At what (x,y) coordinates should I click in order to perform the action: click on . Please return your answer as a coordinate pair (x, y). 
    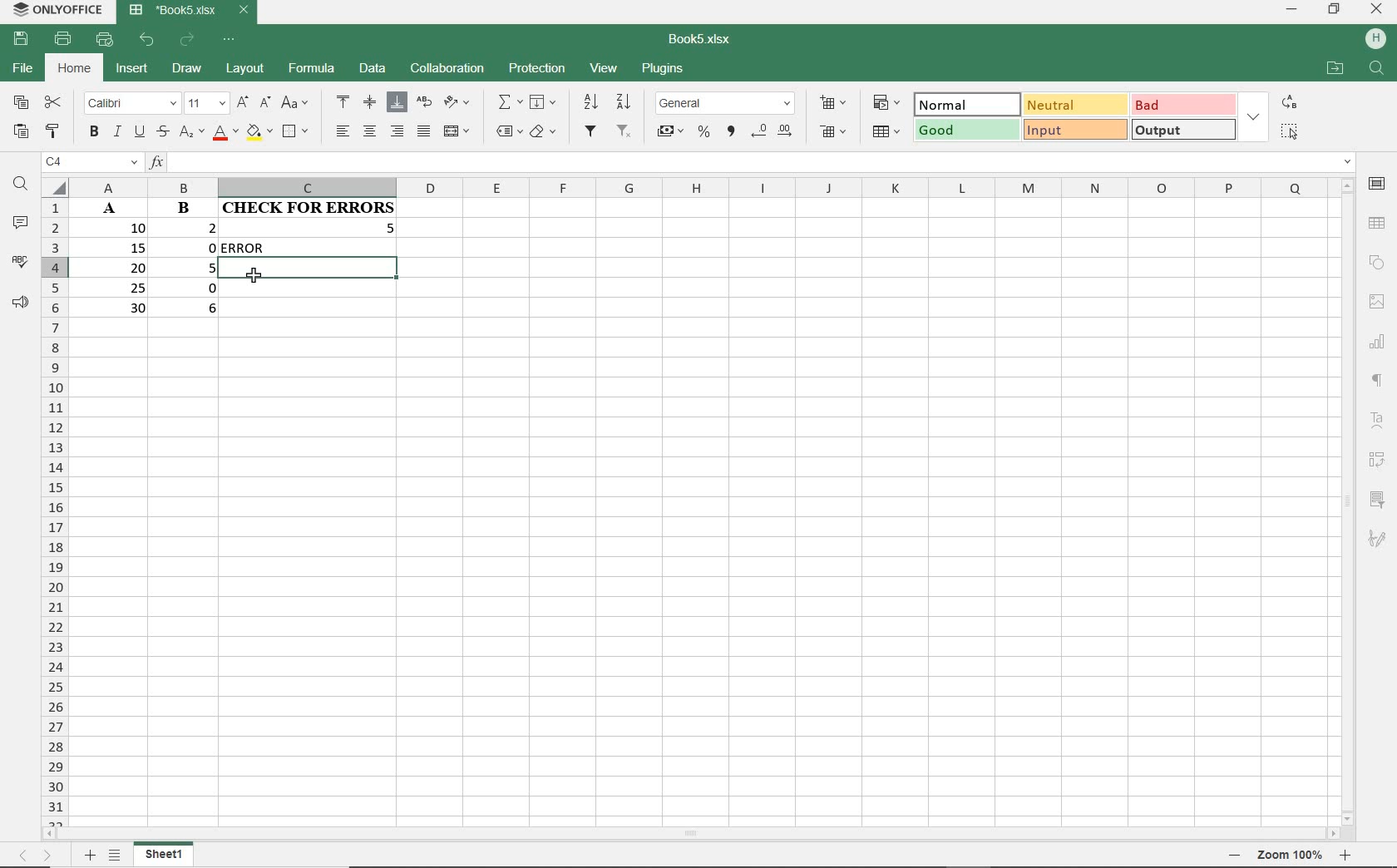
    Looking at the image, I should click on (1378, 540).